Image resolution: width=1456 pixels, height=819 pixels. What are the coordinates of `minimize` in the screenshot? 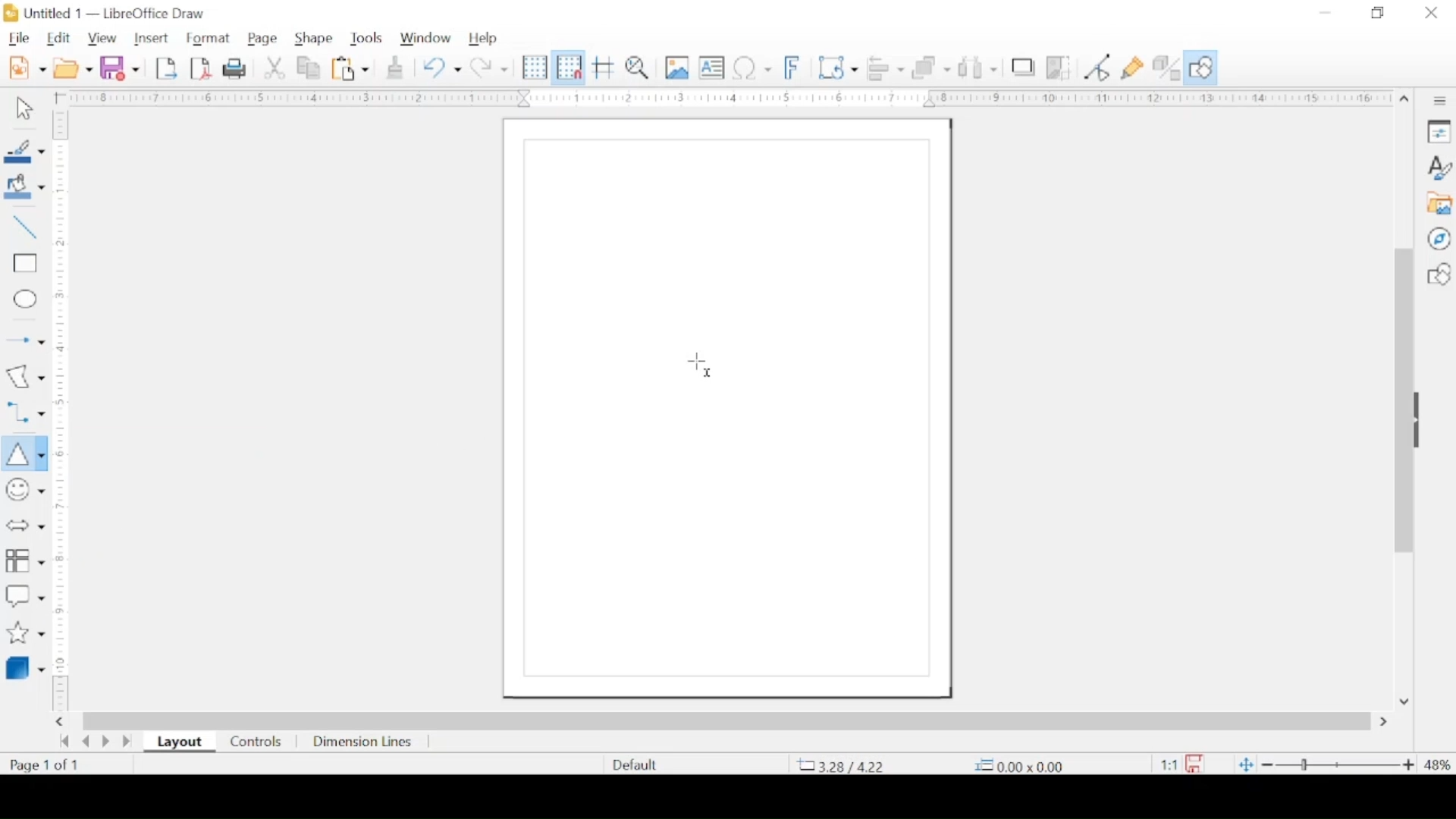 It's located at (1323, 13).